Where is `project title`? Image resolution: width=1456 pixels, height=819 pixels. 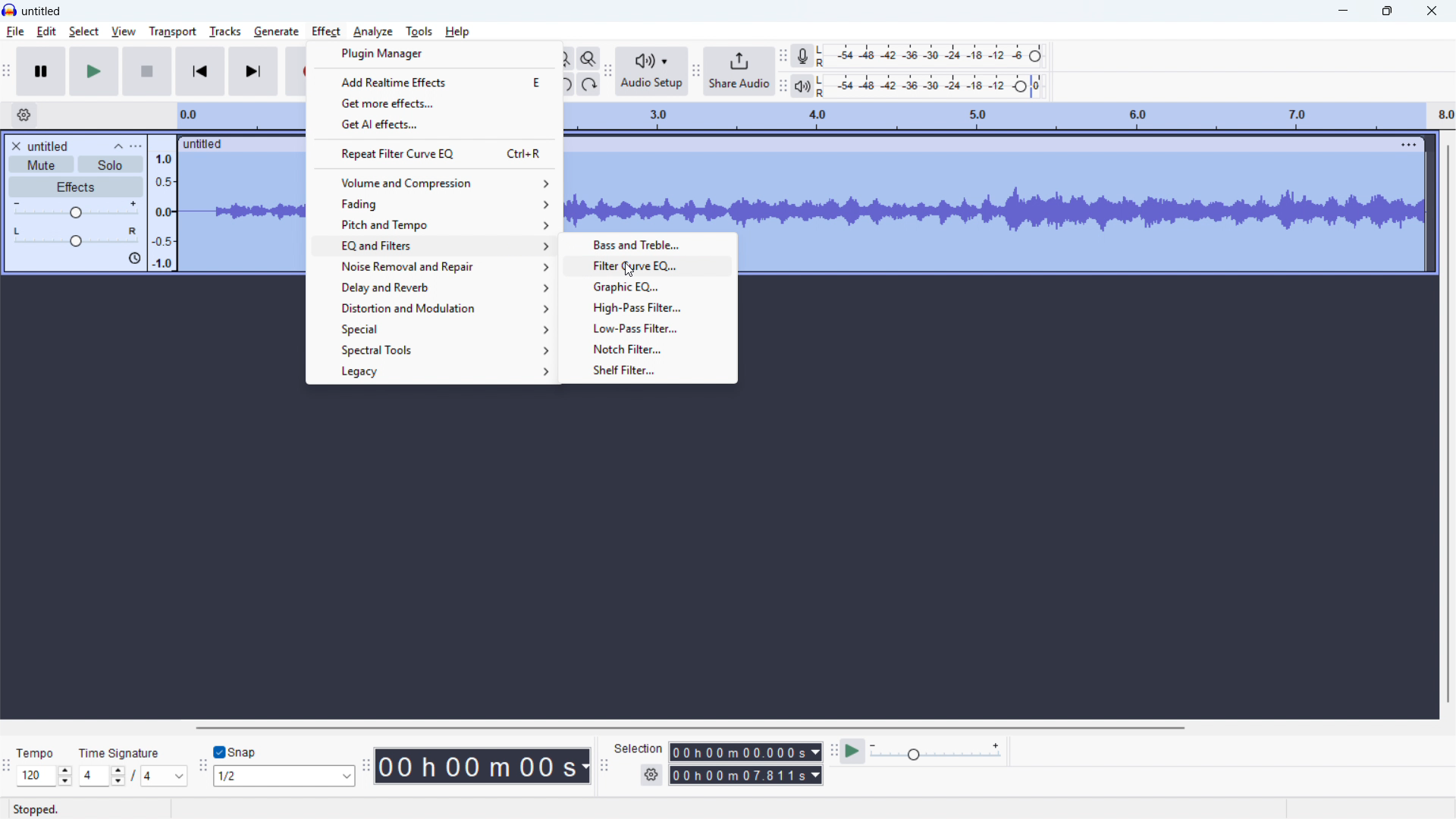
project title is located at coordinates (42, 11).